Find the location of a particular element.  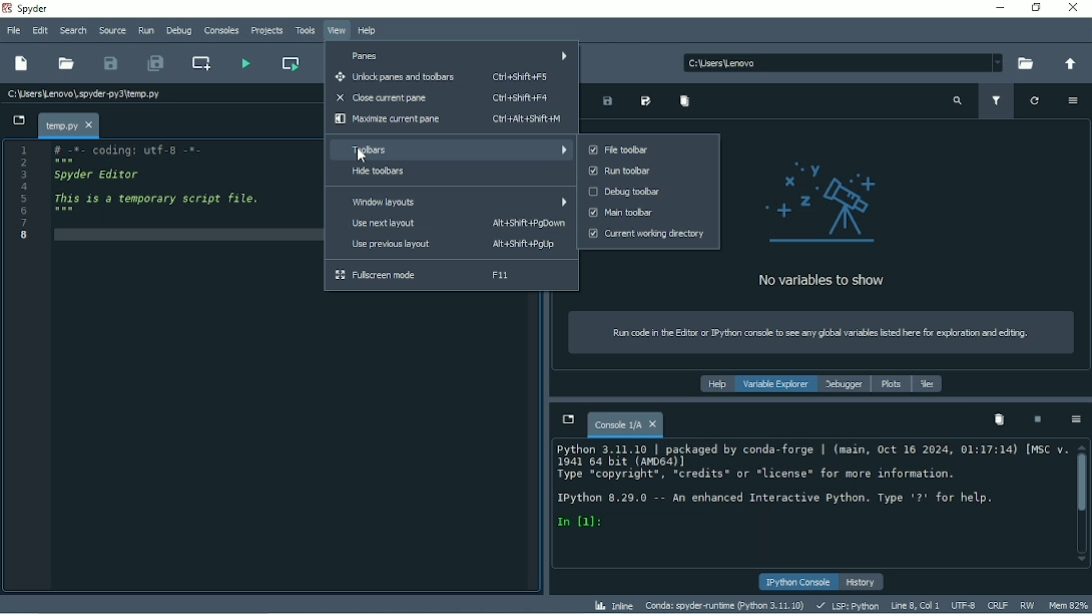

Unlock panes and toolbars is located at coordinates (445, 78).